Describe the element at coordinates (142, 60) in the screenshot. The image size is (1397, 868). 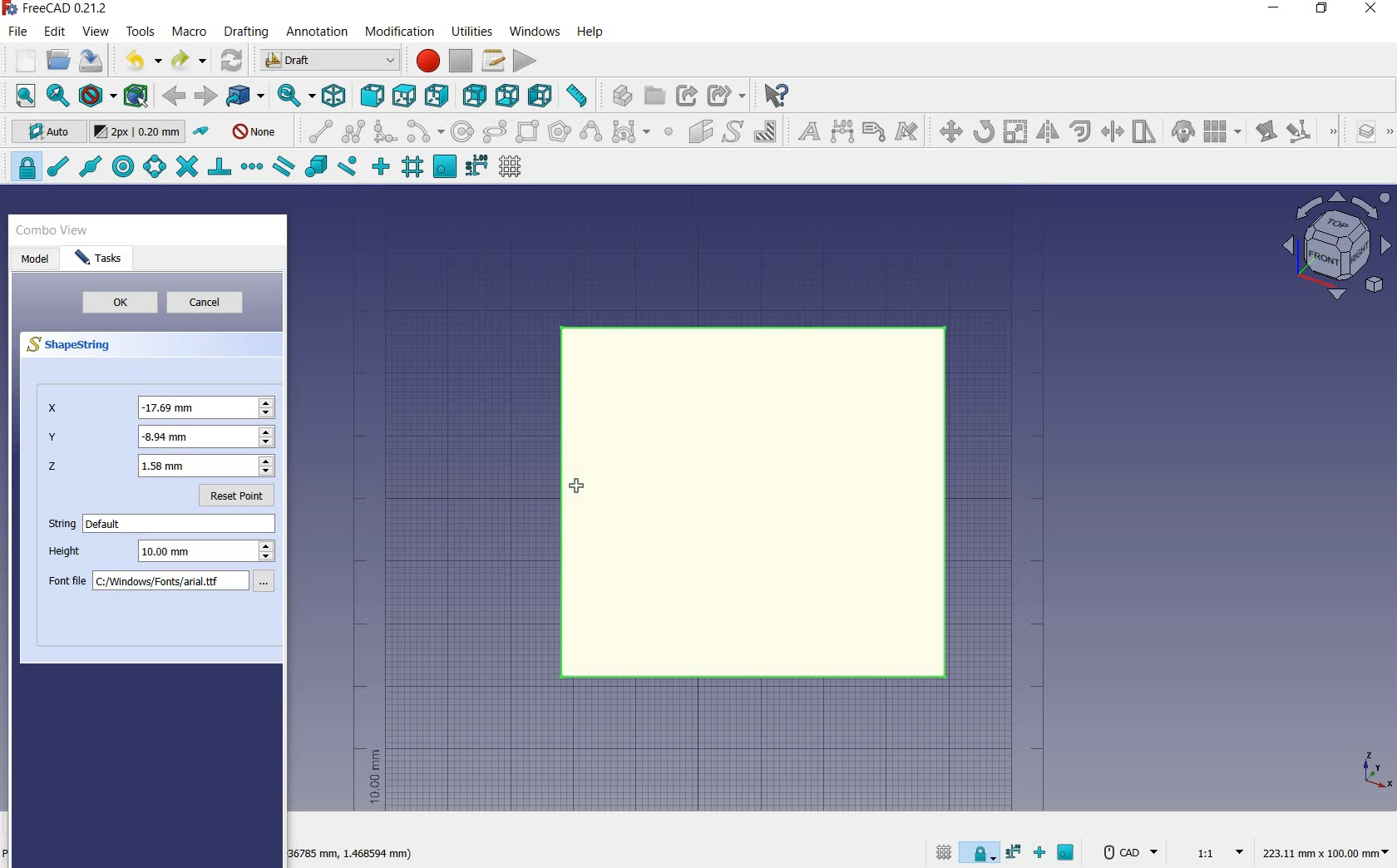
I see `undo` at that location.